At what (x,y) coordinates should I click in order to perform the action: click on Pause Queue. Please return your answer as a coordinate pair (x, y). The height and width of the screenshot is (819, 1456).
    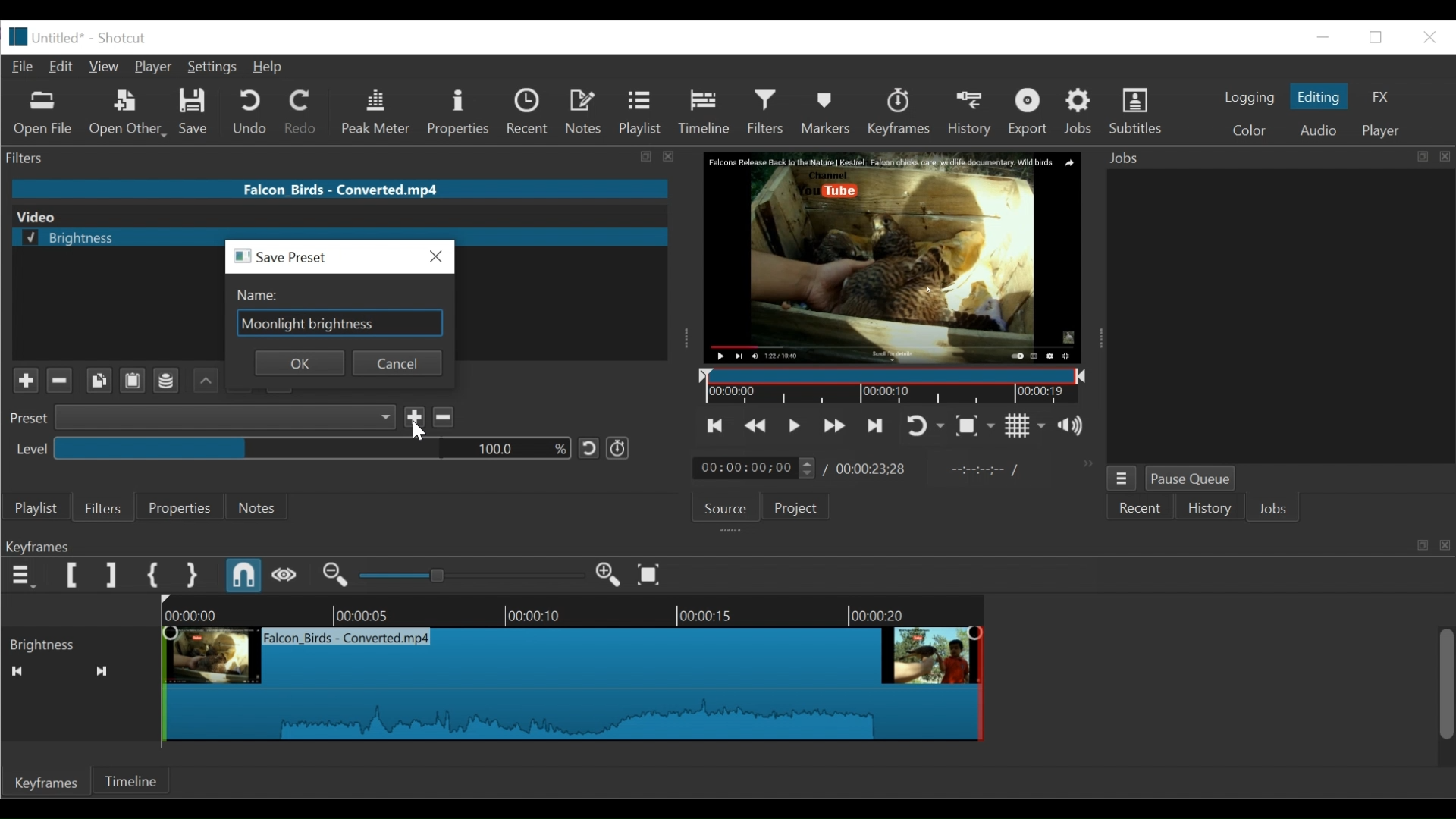
    Looking at the image, I should click on (1190, 479).